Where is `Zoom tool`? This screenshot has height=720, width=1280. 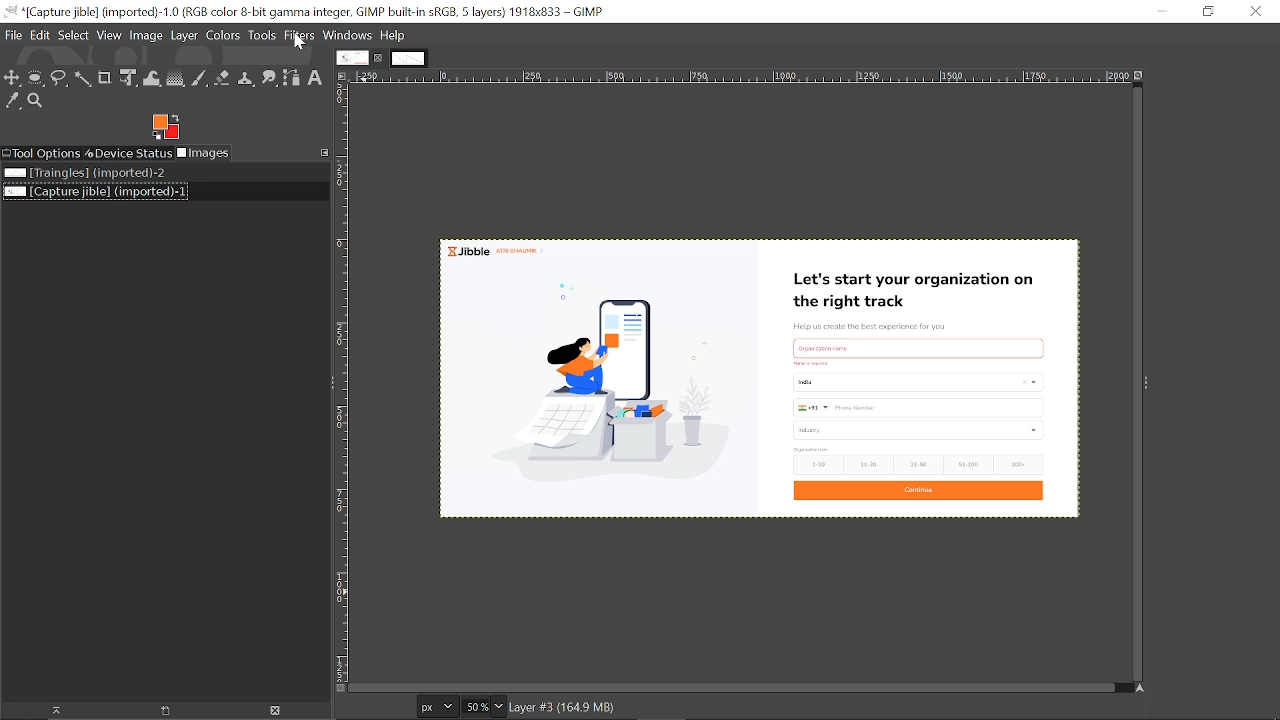
Zoom tool is located at coordinates (37, 102).